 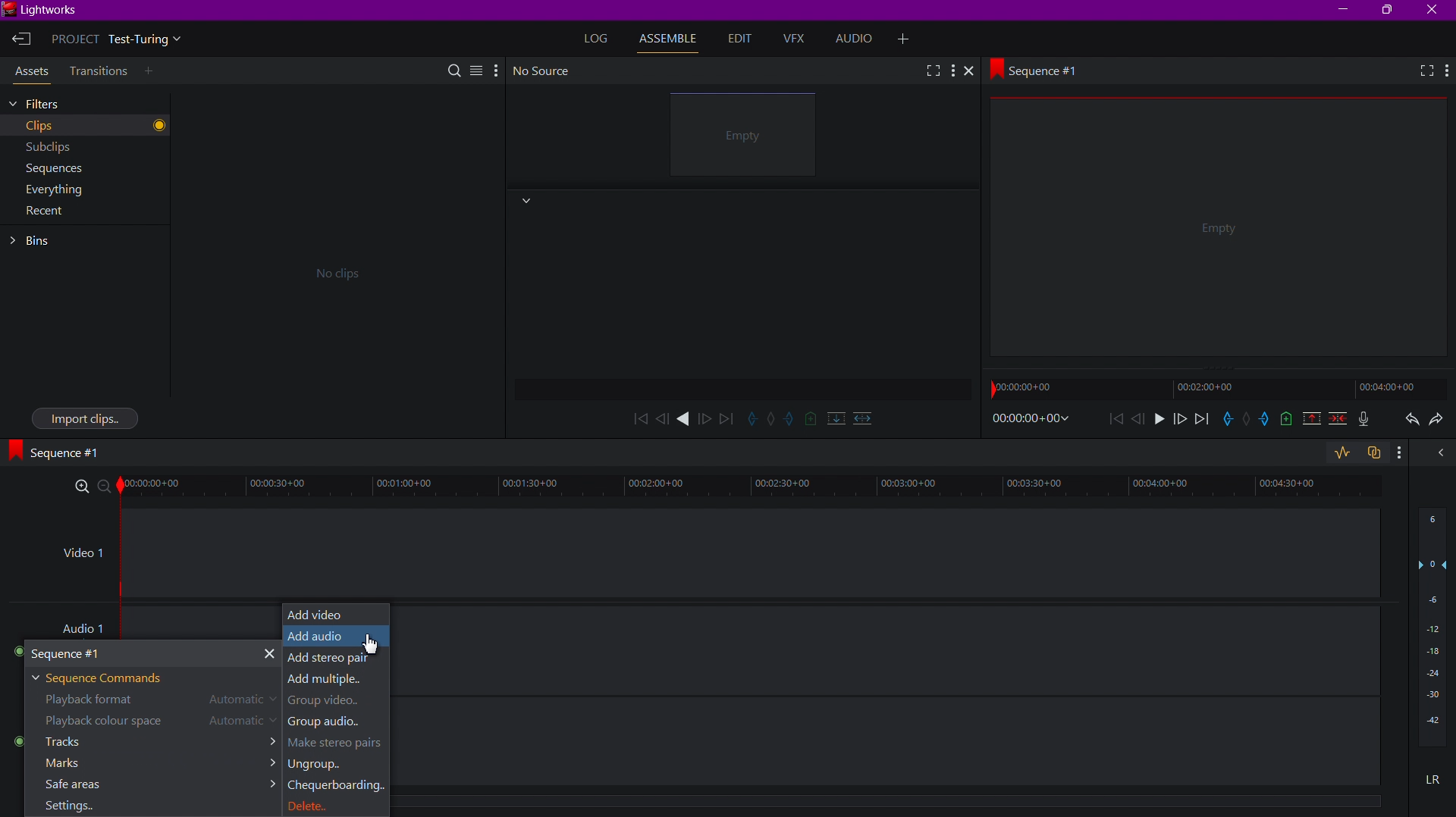 What do you see at coordinates (859, 39) in the screenshot?
I see `Audio` at bounding box center [859, 39].